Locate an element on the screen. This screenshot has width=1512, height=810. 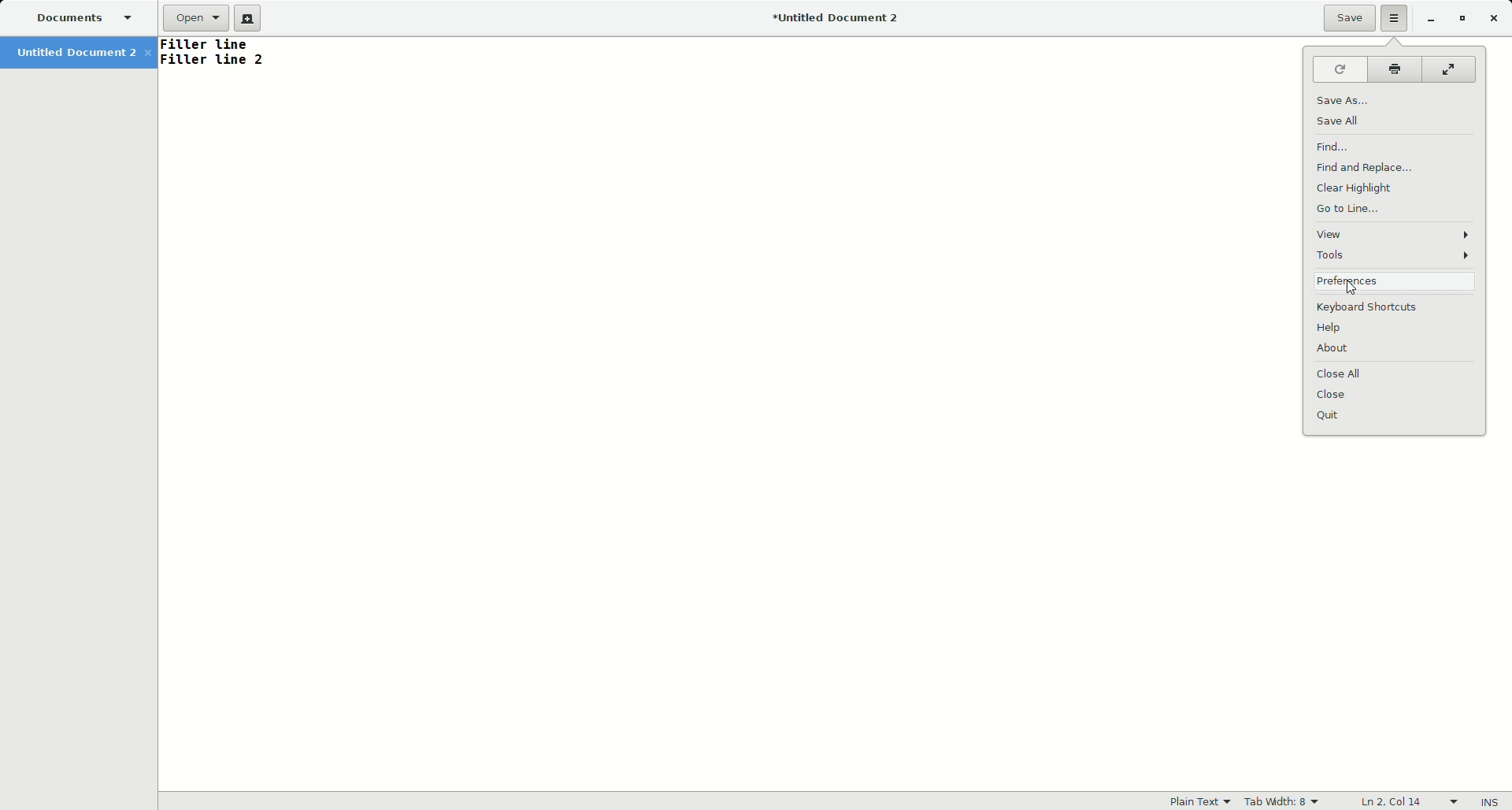
Preferences is located at coordinates (1394, 281).